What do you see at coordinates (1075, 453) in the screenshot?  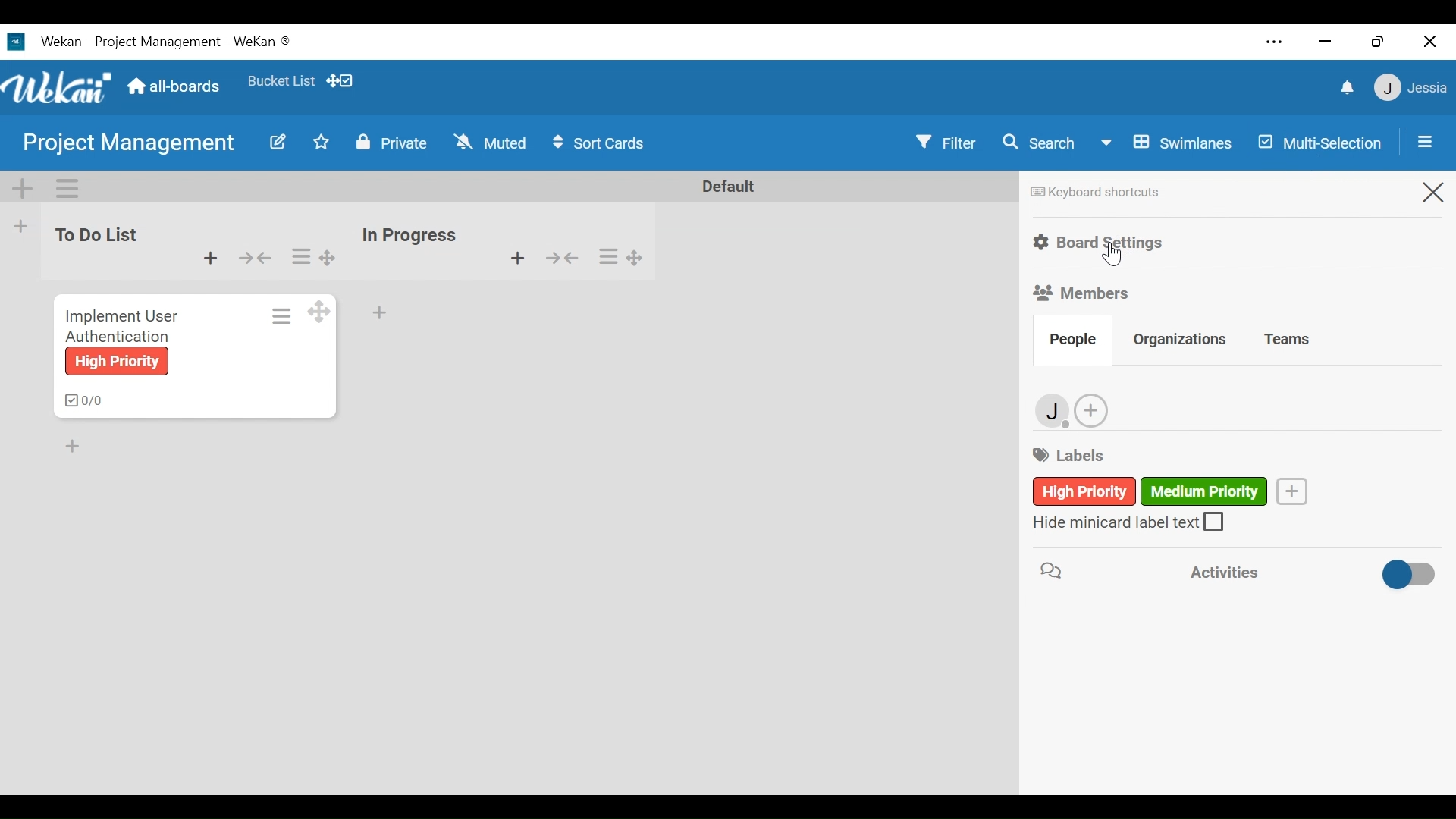 I see `Labels` at bounding box center [1075, 453].